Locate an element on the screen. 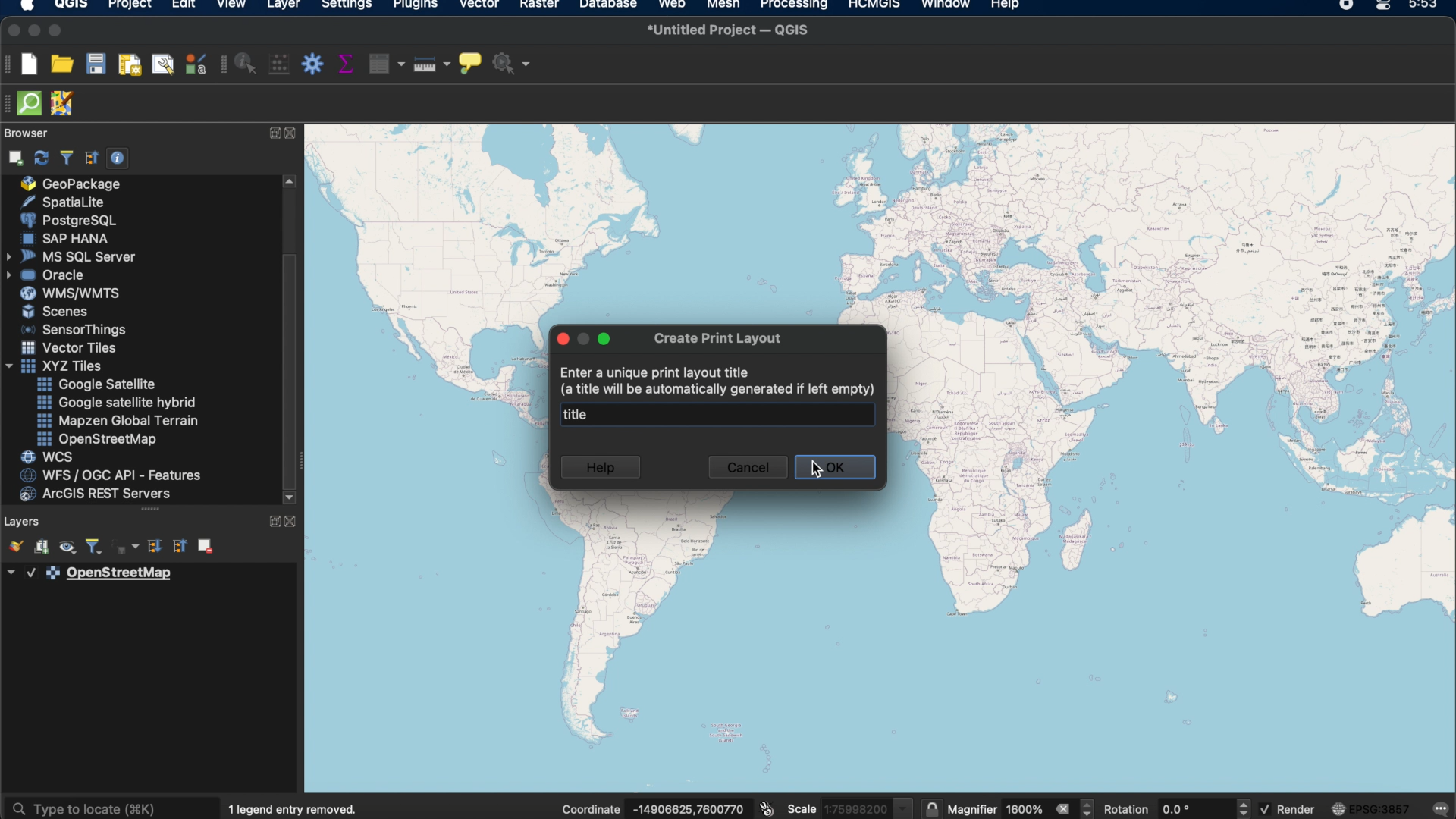 Image resolution: width=1456 pixels, height=819 pixels. remove layer group is located at coordinates (207, 545).